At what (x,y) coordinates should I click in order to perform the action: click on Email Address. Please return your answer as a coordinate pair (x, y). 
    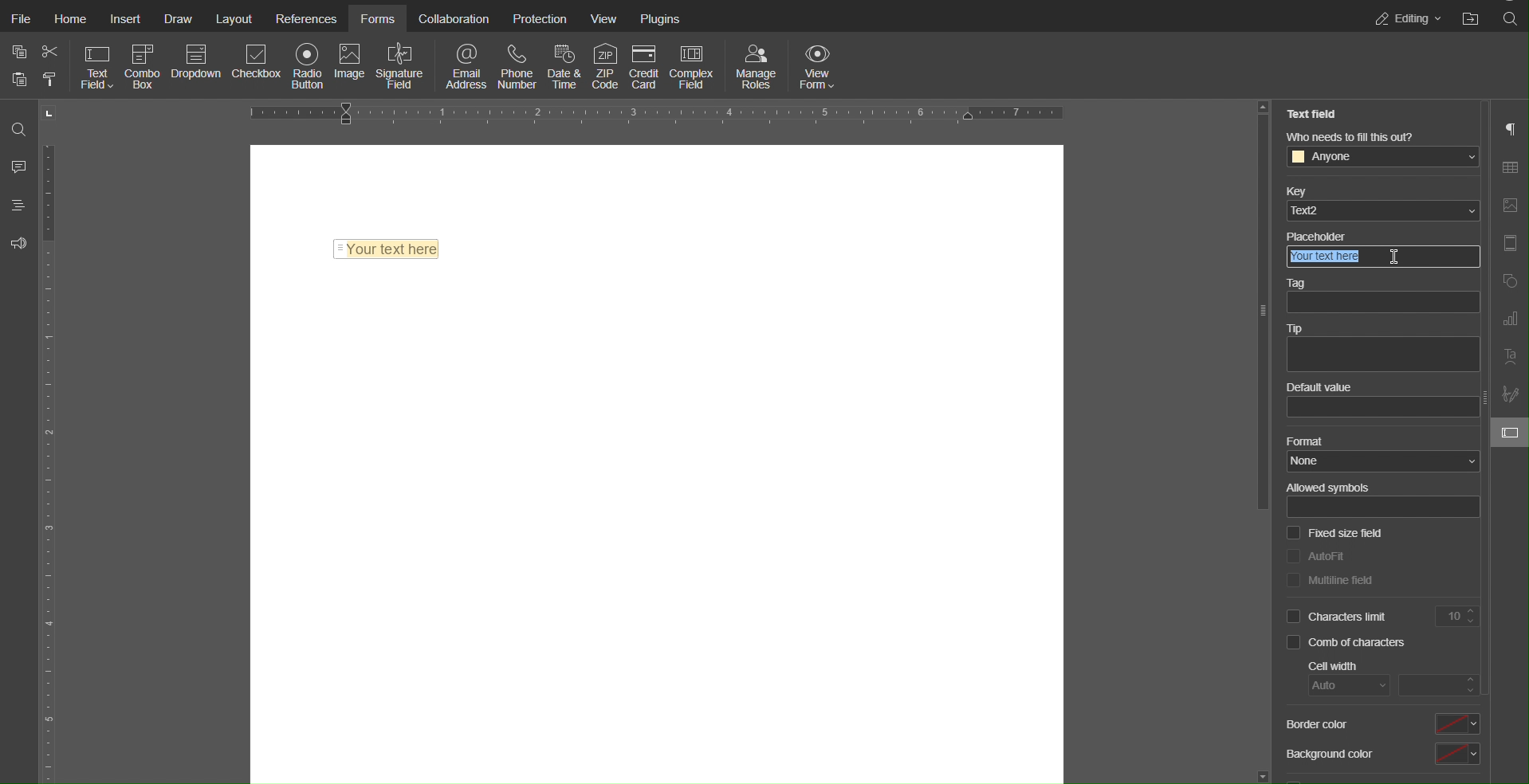
    Looking at the image, I should click on (467, 66).